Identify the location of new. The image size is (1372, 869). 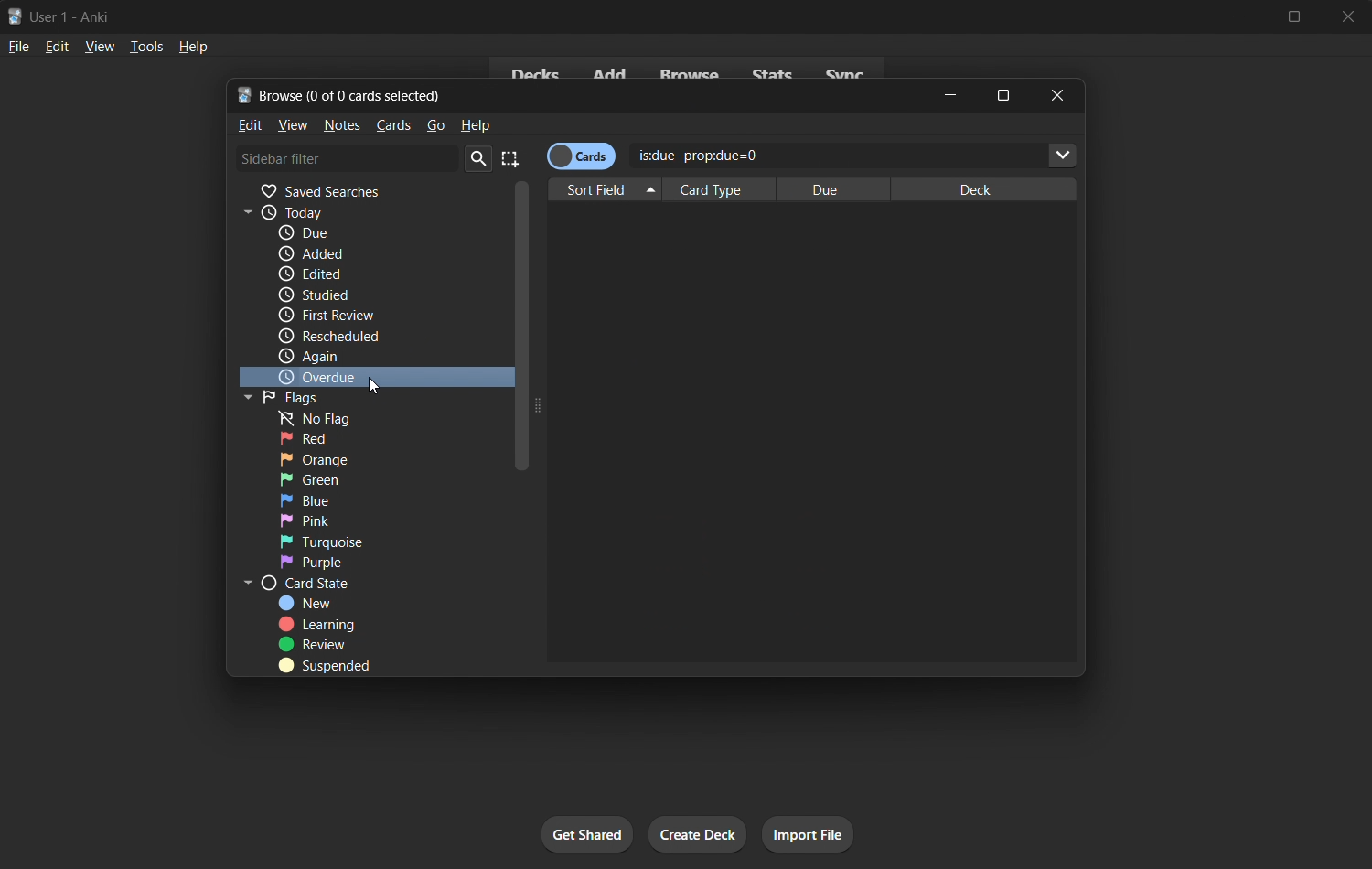
(317, 604).